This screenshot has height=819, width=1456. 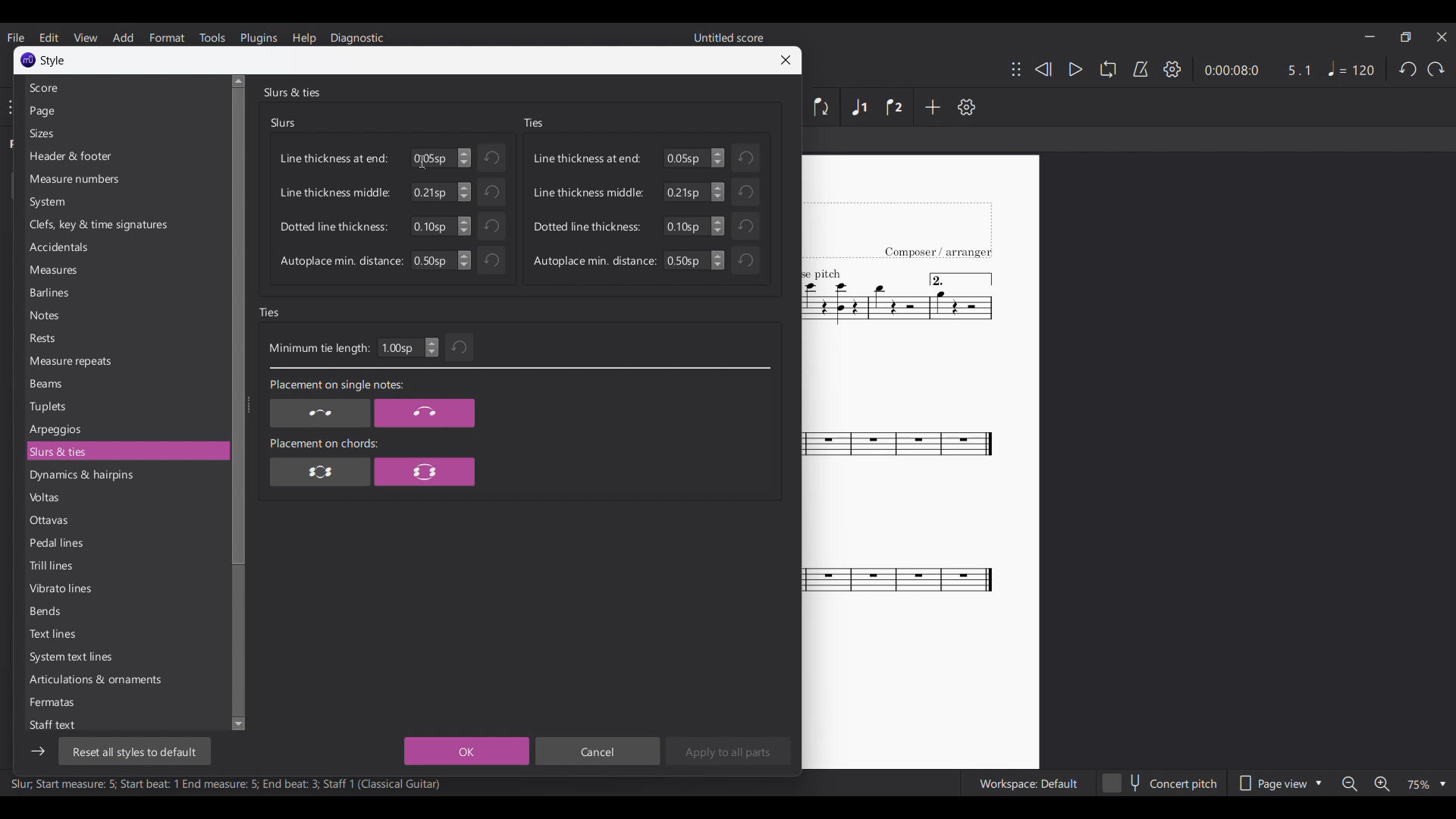 What do you see at coordinates (167, 37) in the screenshot?
I see `Format menu` at bounding box center [167, 37].